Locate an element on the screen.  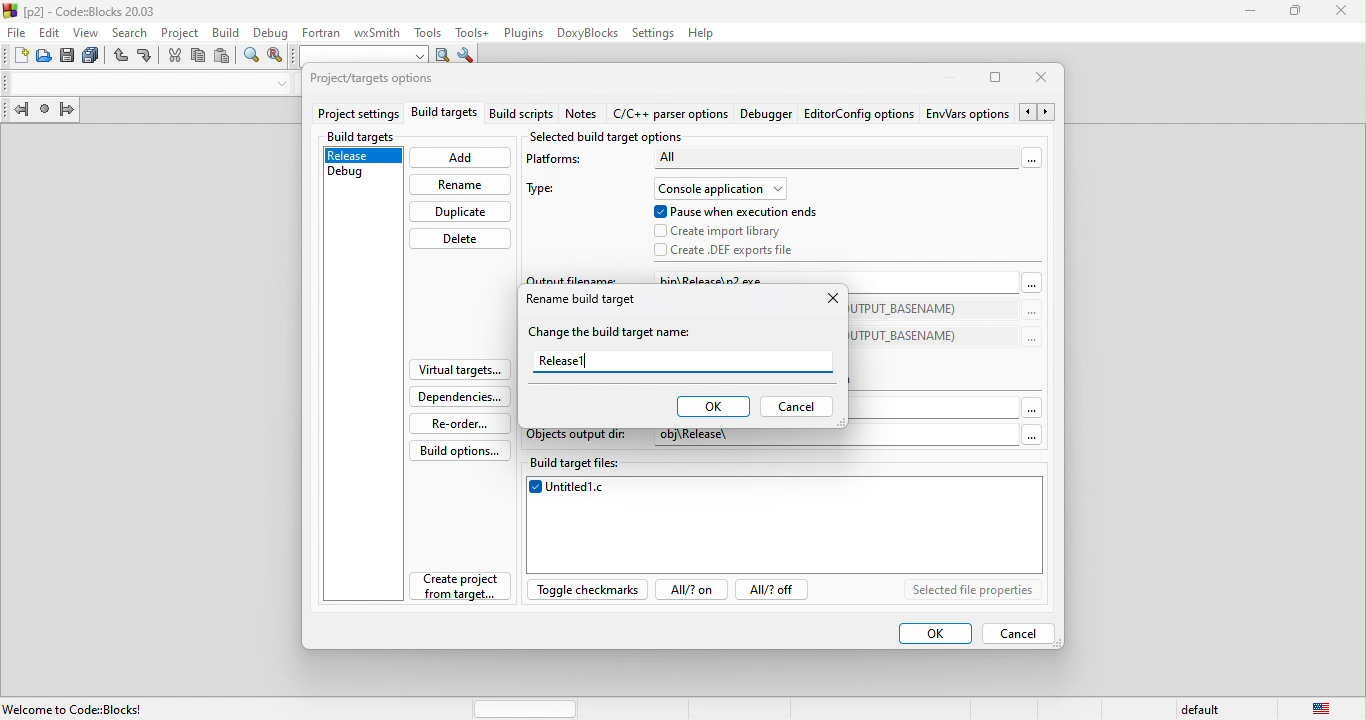
more is located at coordinates (1031, 312).